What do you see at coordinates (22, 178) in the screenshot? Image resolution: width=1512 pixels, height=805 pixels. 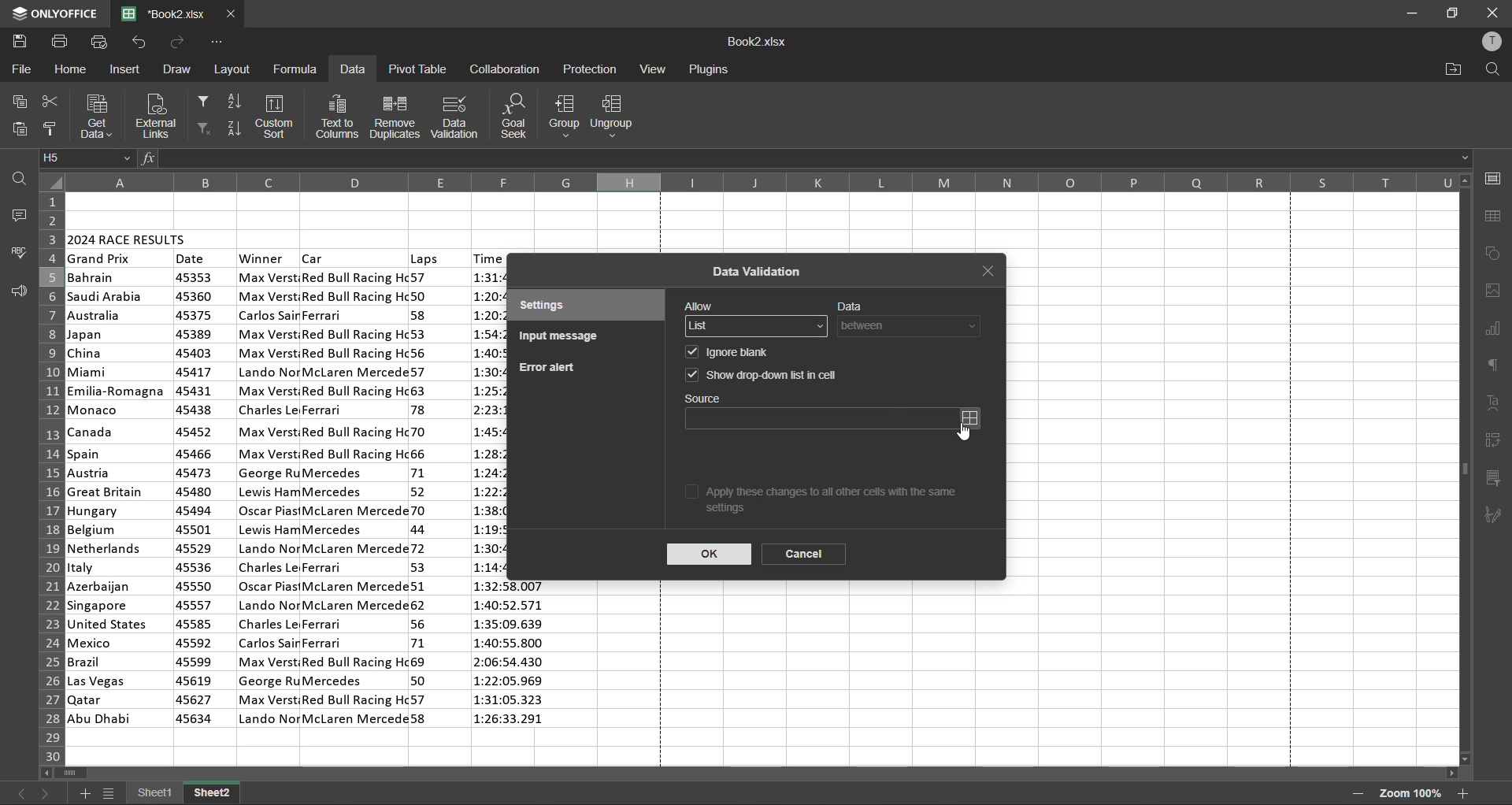 I see `find` at bounding box center [22, 178].